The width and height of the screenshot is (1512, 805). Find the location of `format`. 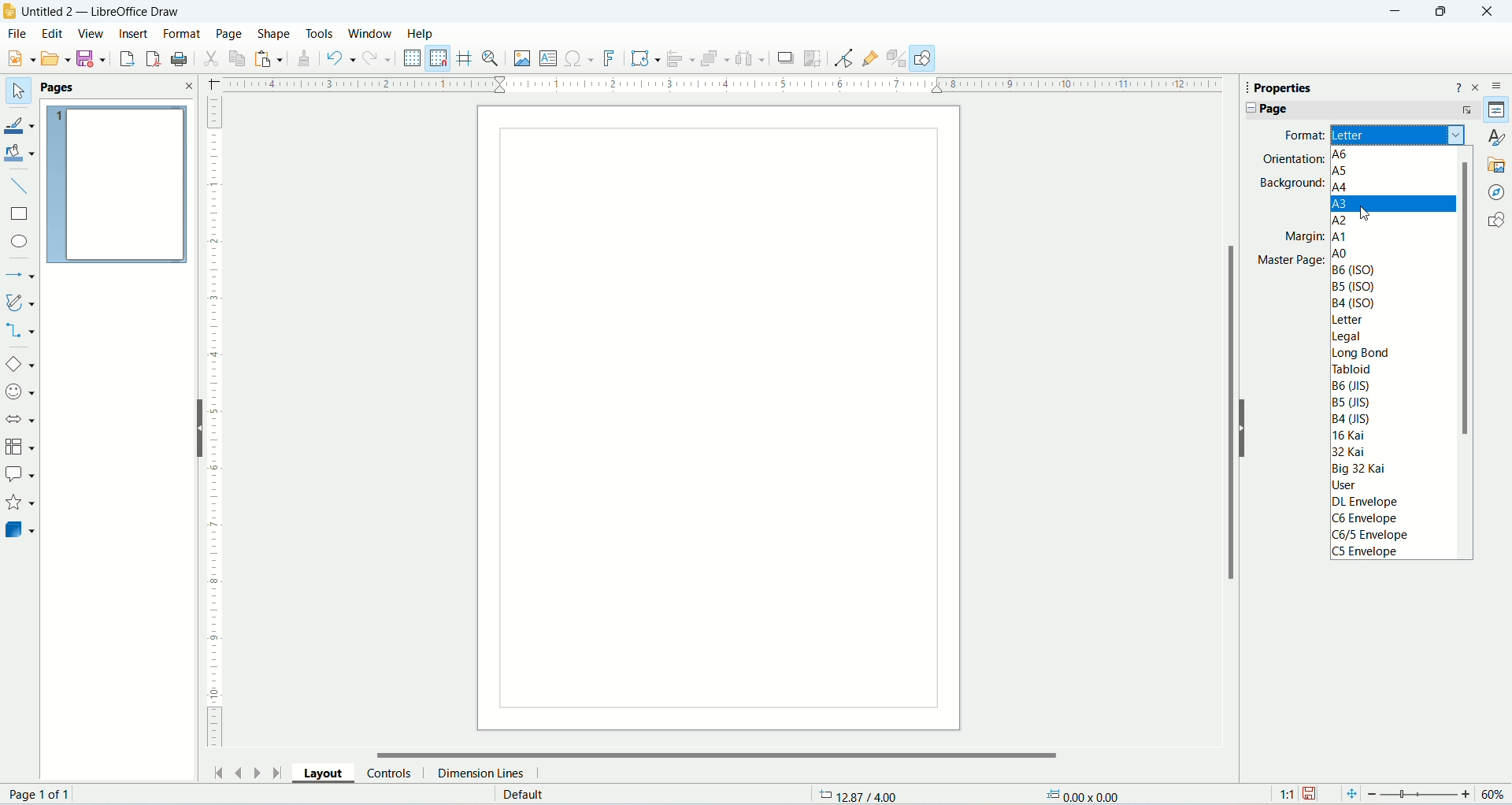

format is located at coordinates (183, 33).